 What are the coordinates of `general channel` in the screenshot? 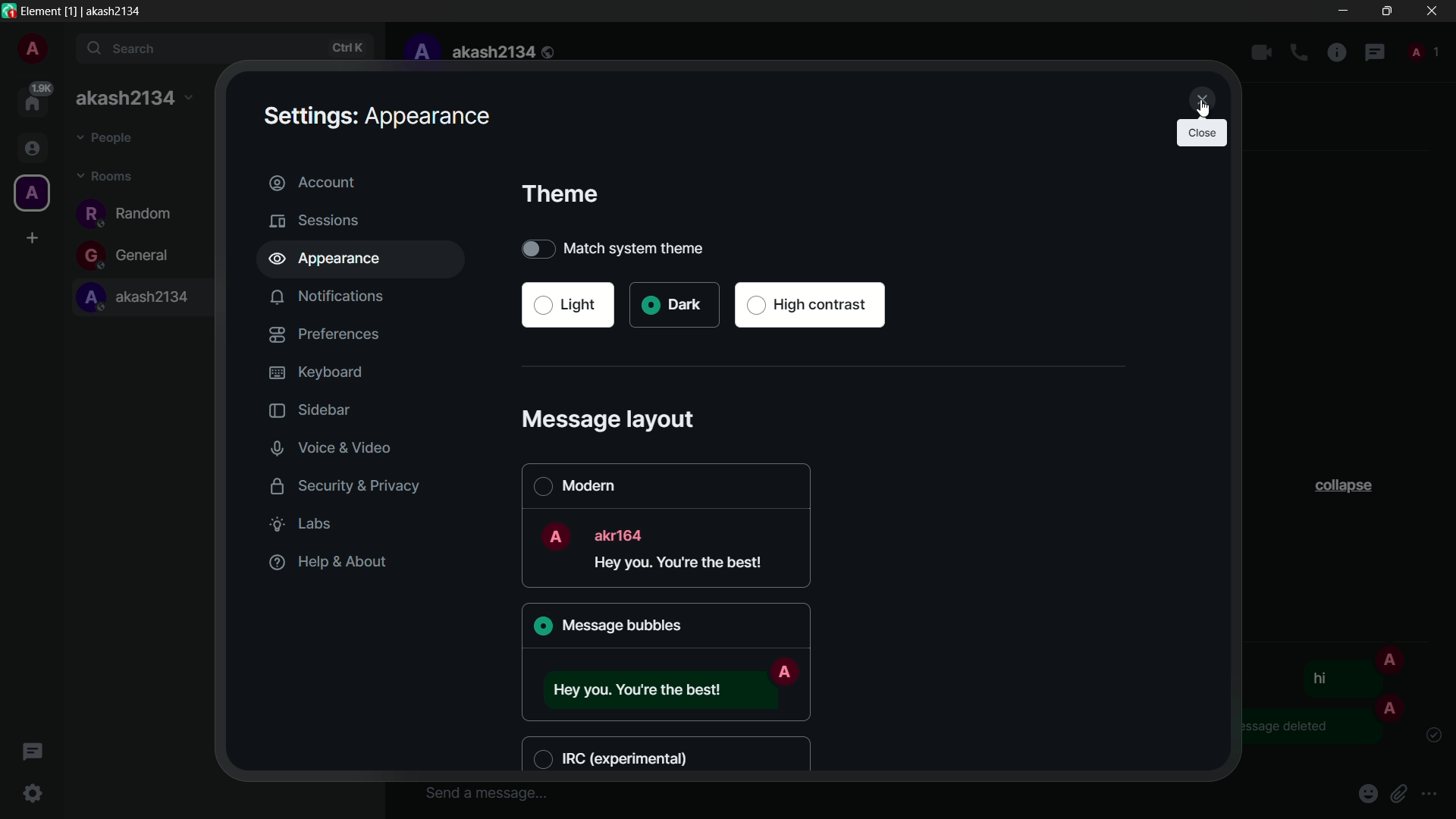 It's located at (129, 256).